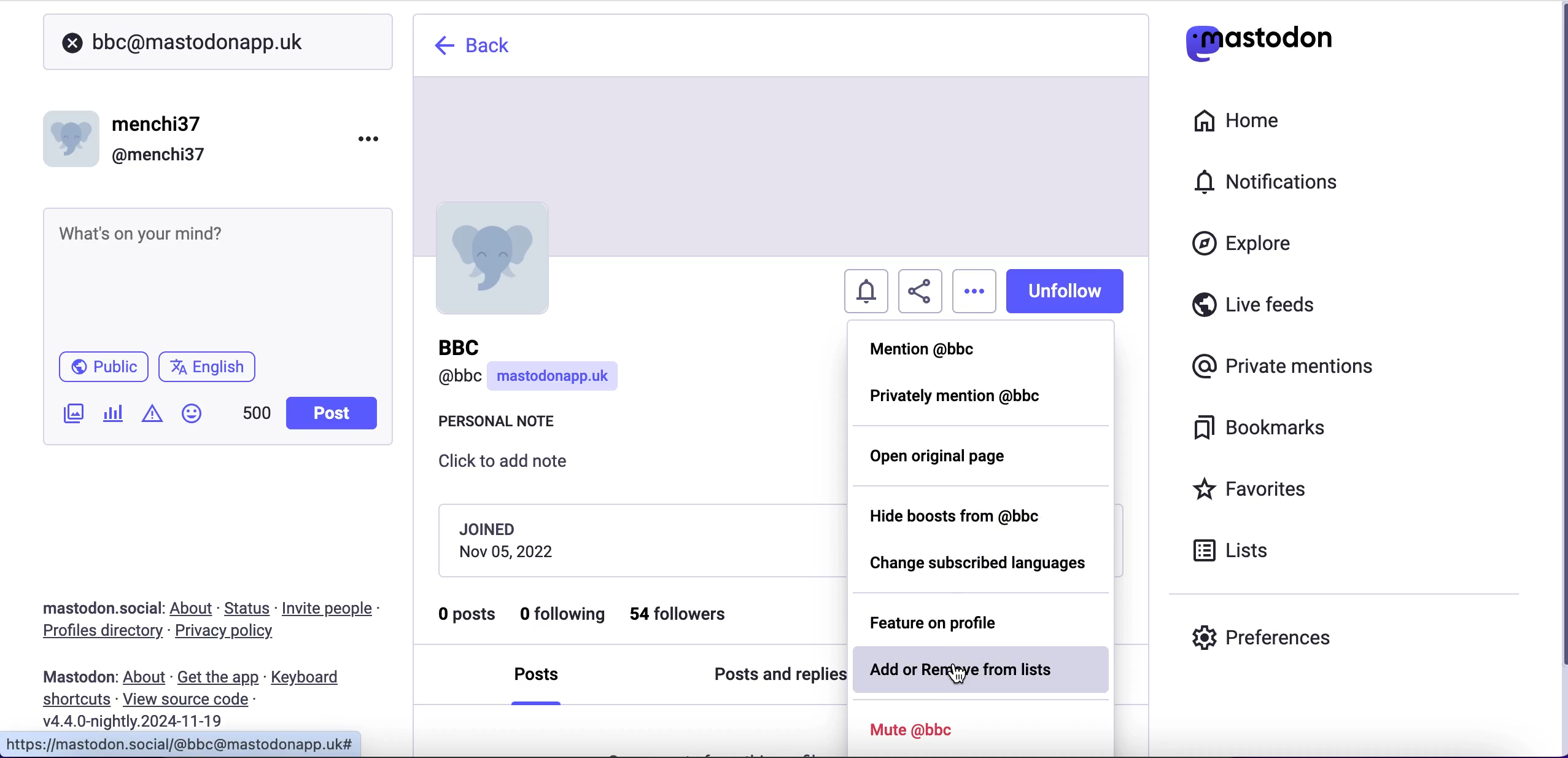  What do you see at coordinates (309, 679) in the screenshot?
I see `keyboard` at bounding box center [309, 679].